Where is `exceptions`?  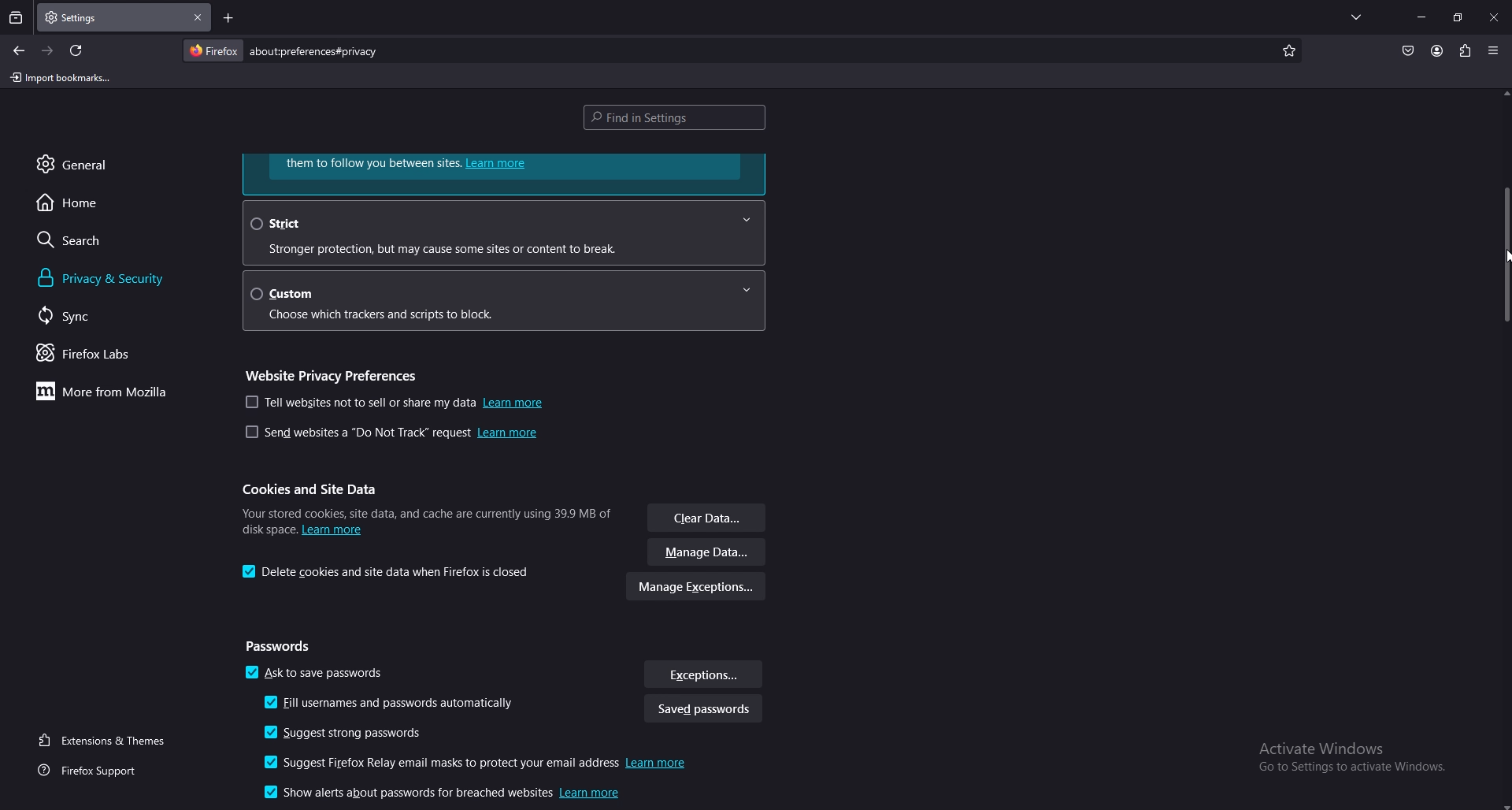 exceptions is located at coordinates (703, 674).